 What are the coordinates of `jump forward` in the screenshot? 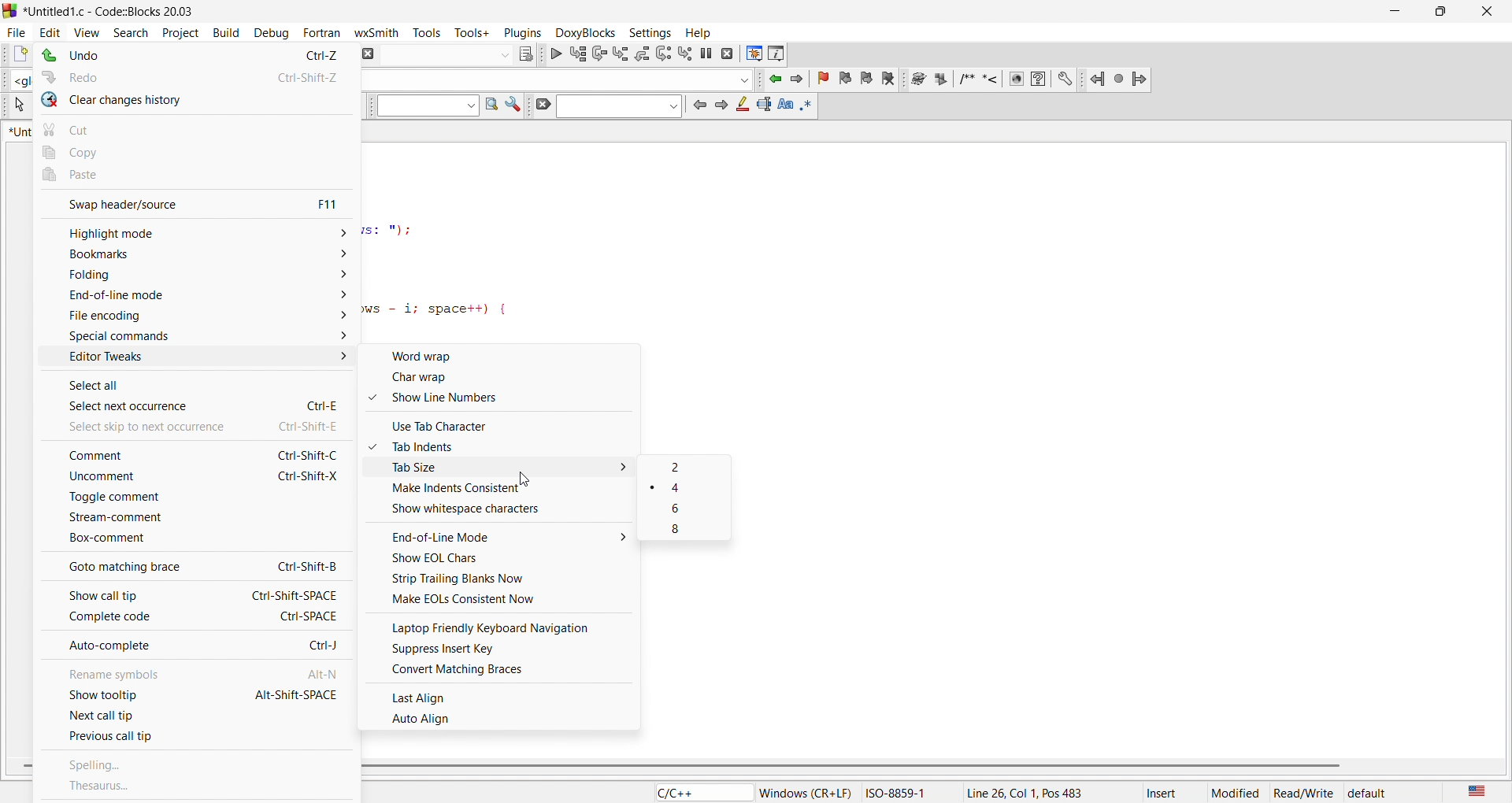 It's located at (795, 81).